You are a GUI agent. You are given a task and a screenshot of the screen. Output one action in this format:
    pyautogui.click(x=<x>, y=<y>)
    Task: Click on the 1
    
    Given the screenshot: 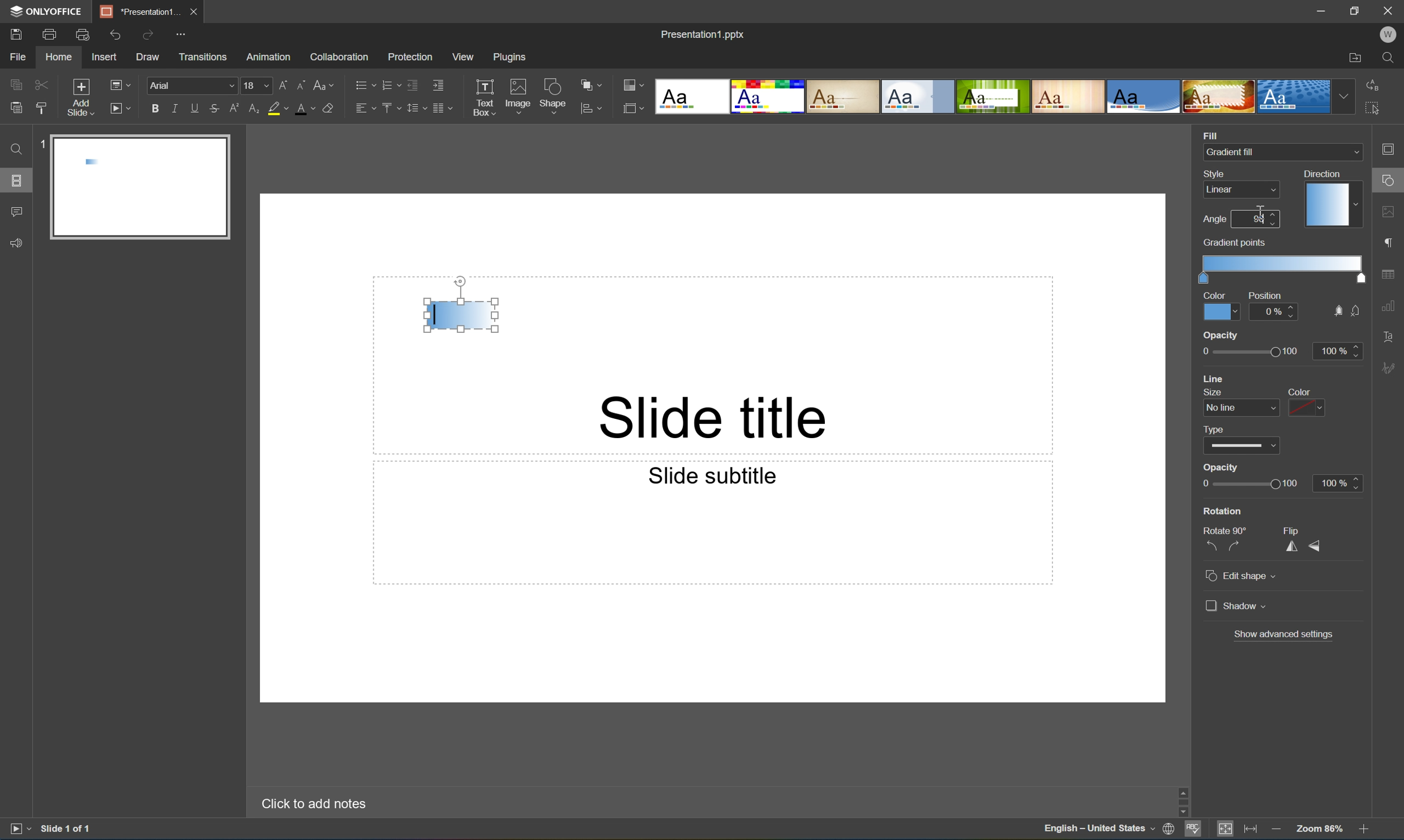 What is the action you would take?
    pyautogui.click(x=41, y=147)
    